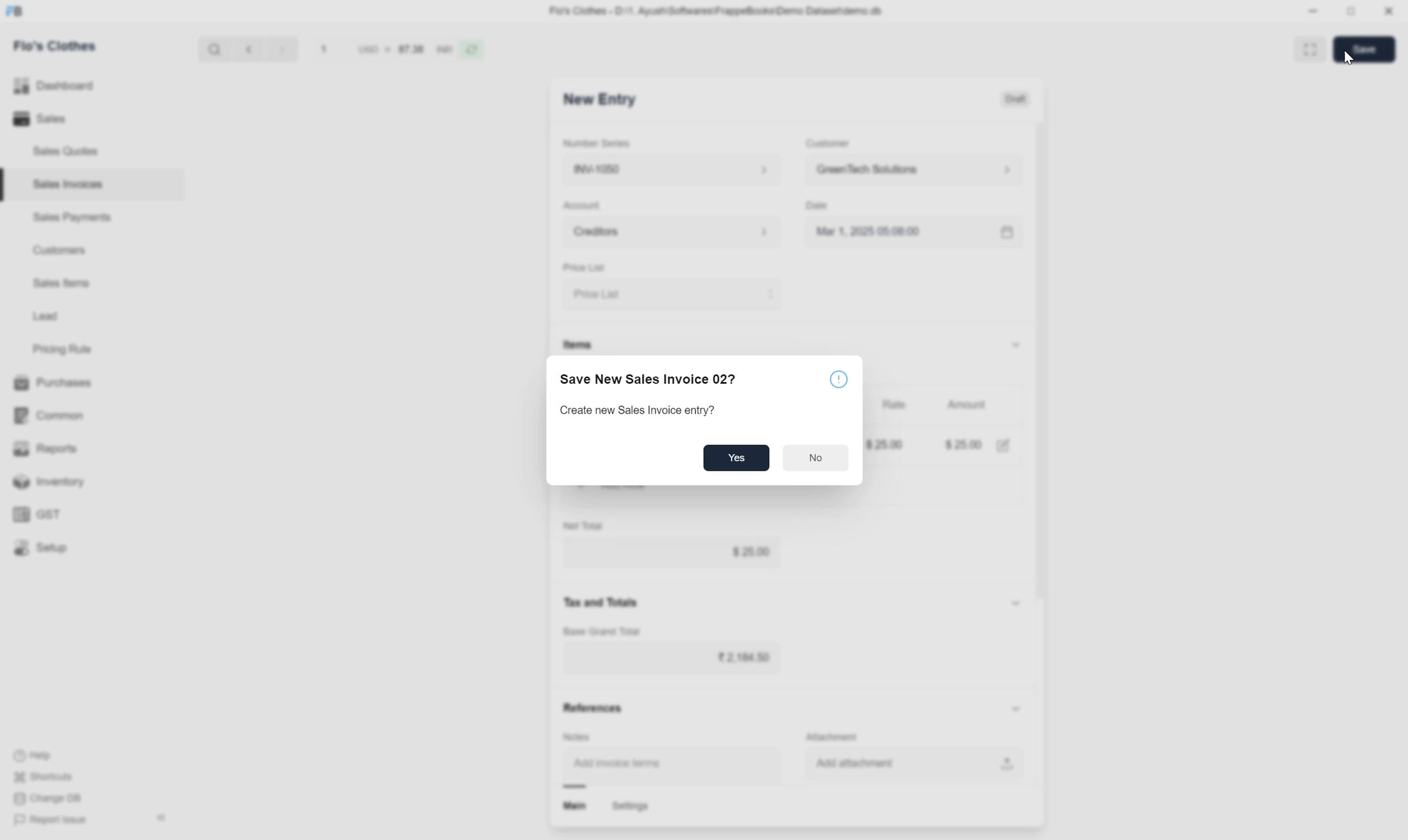 This screenshot has height=840, width=1408. Describe the element at coordinates (64, 349) in the screenshot. I see `Pricing Rule` at that location.